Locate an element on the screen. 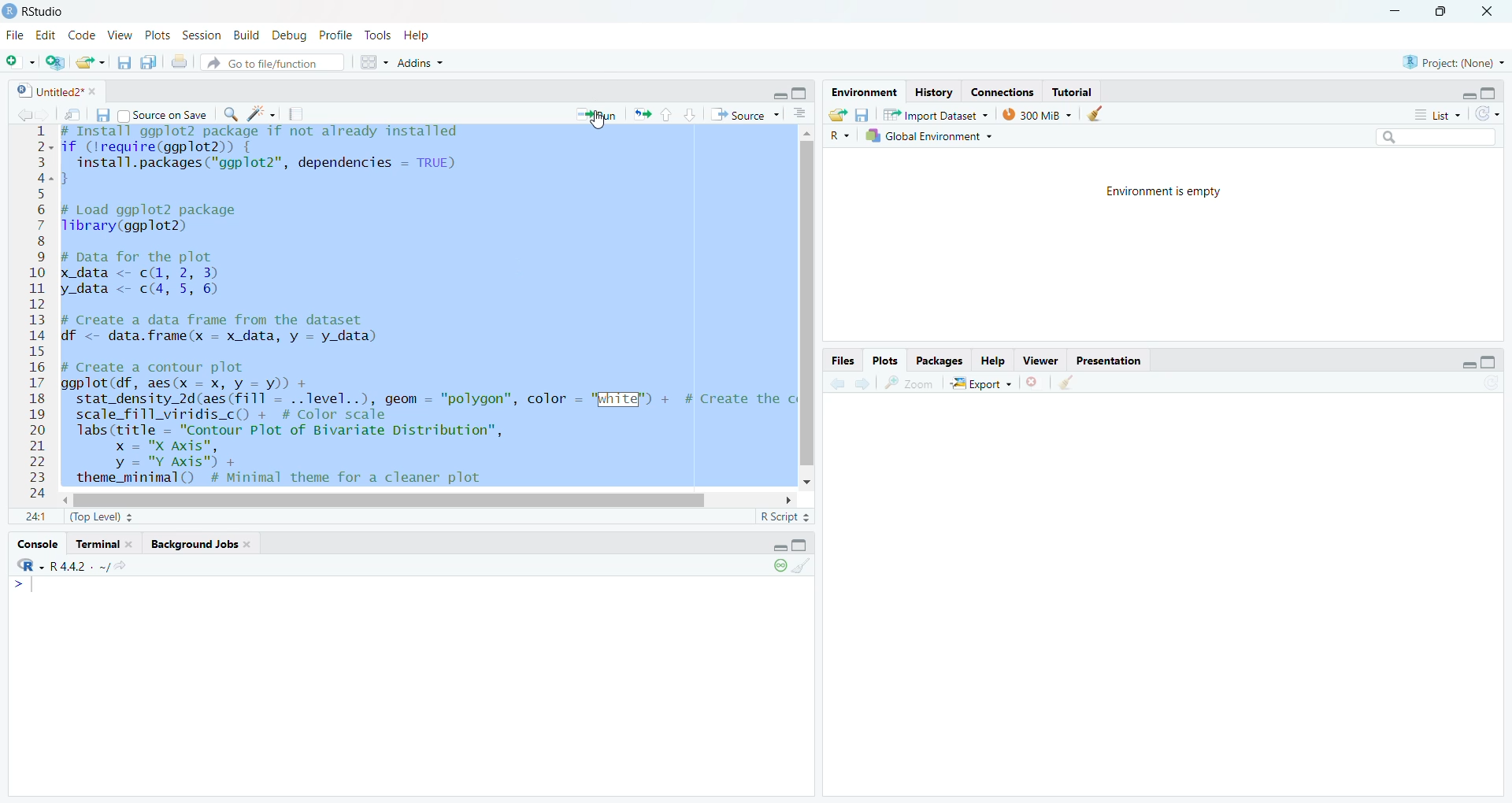 Image resolution: width=1512 pixels, height=803 pixels.  Viewer is located at coordinates (1042, 361).